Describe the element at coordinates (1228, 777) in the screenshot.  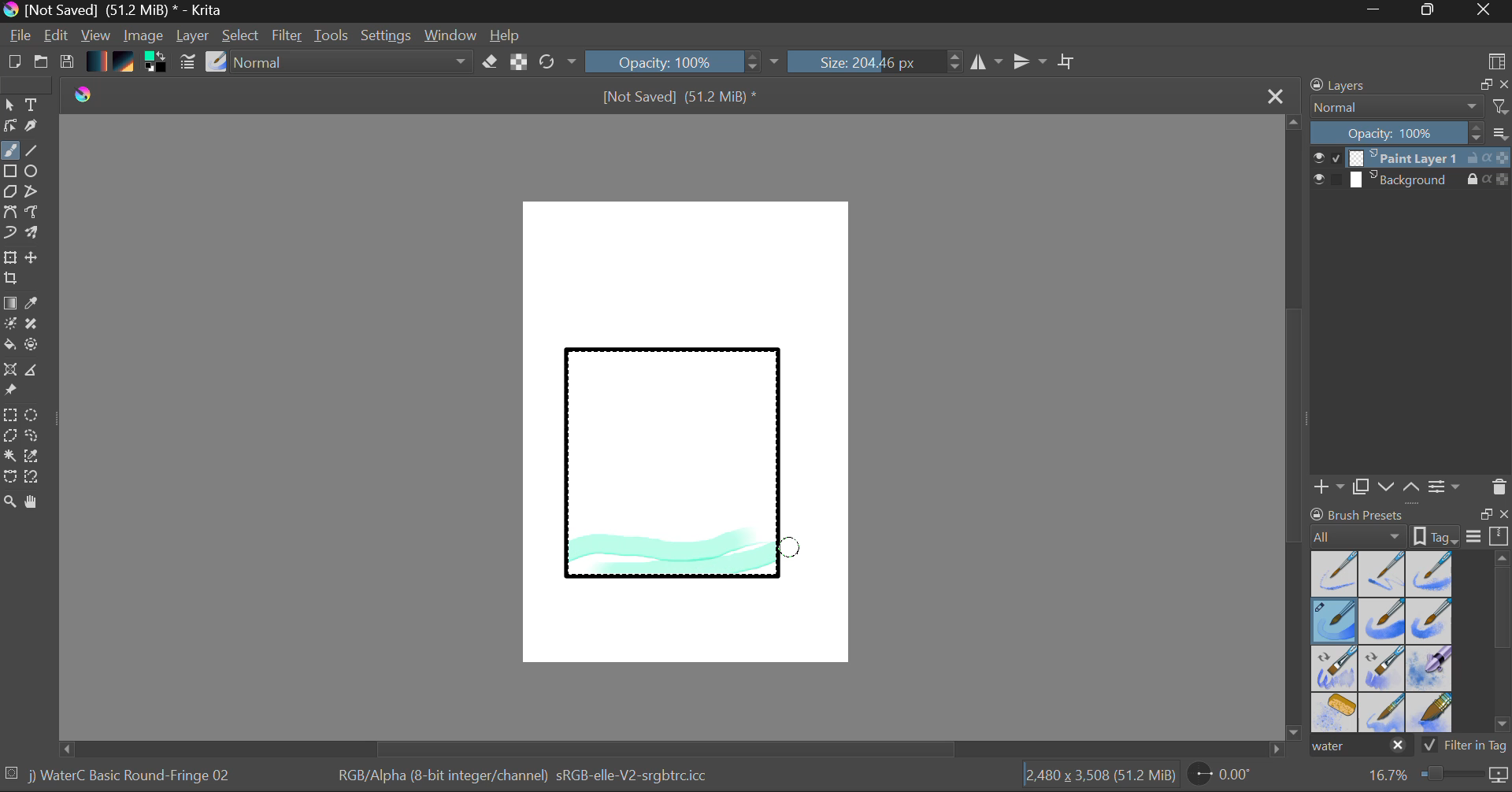
I see `Page Rotation` at that location.